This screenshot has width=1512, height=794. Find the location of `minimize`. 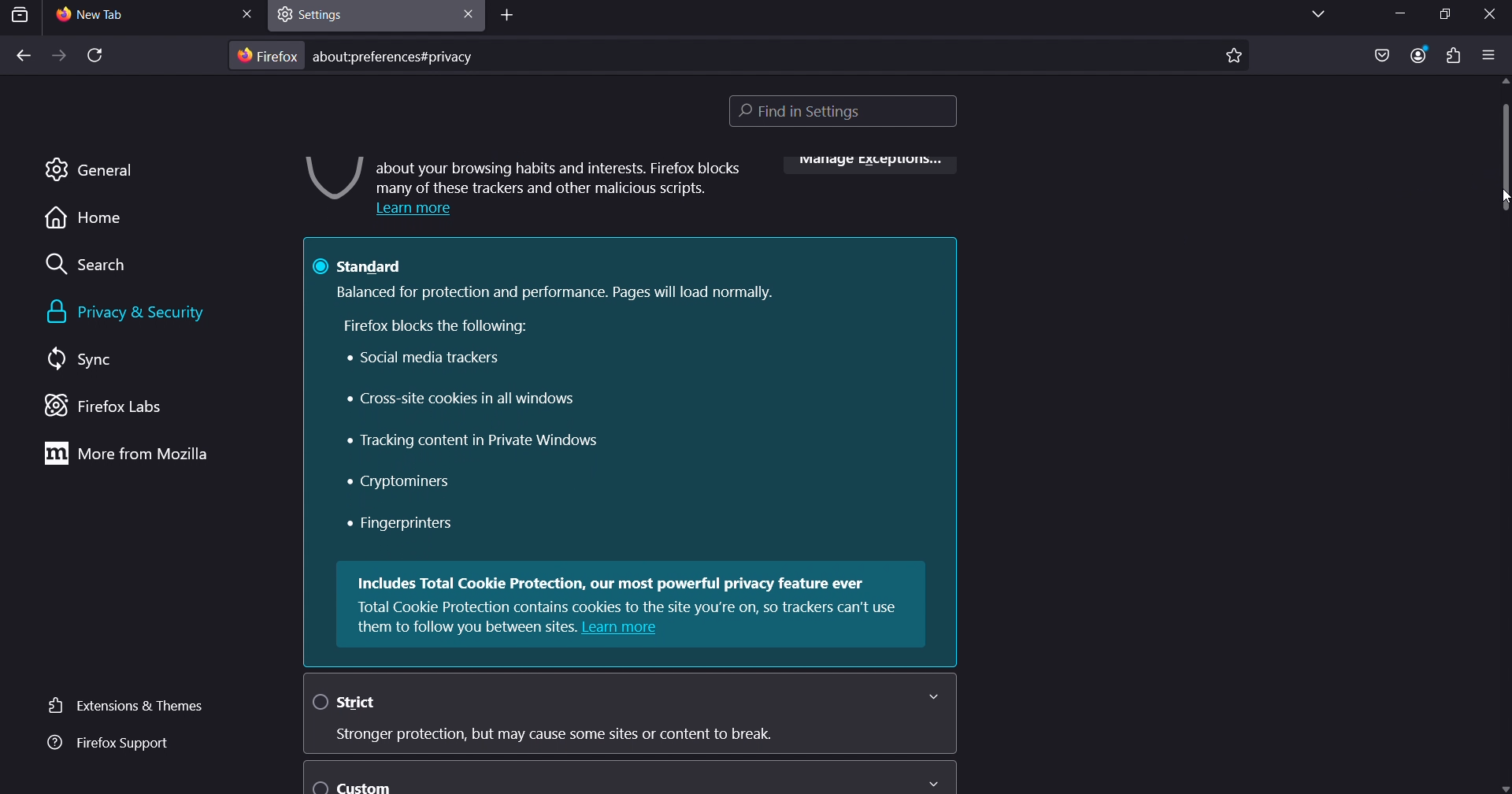

minimize is located at coordinates (1397, 16).